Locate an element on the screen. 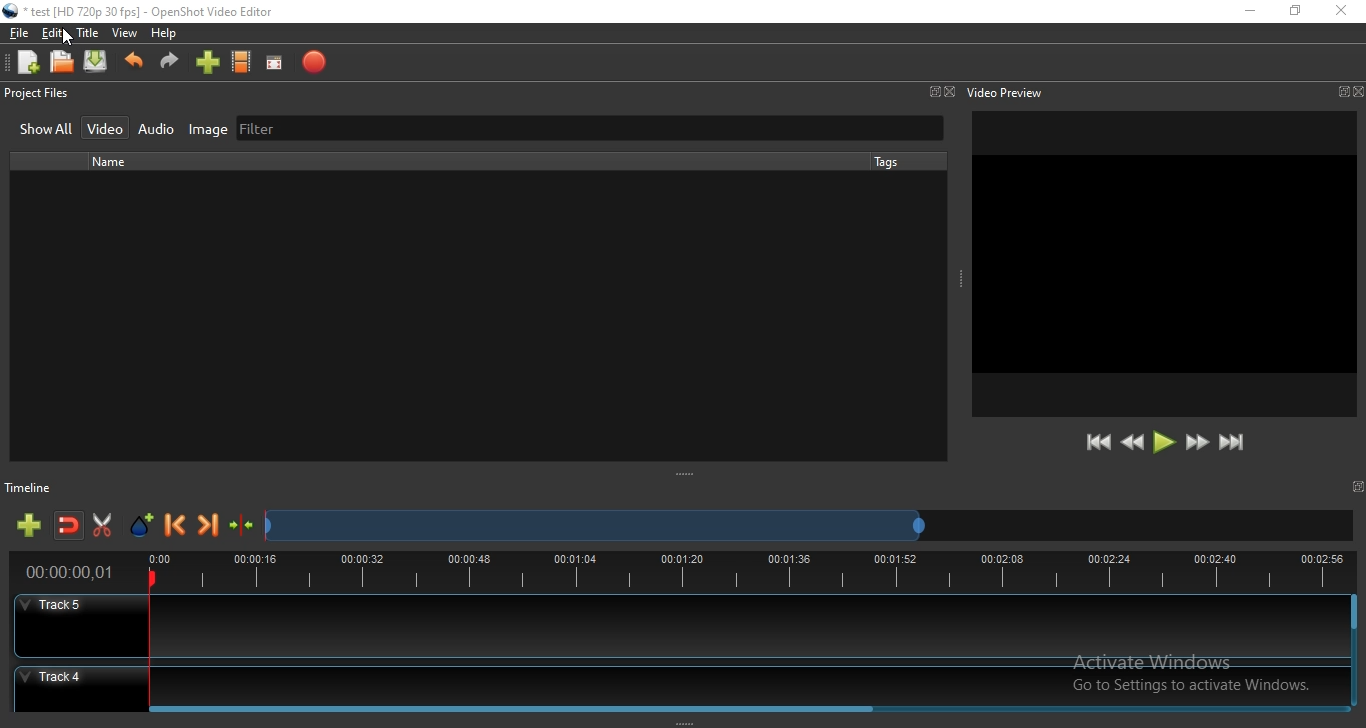  File is located at coordinates (16, 33).